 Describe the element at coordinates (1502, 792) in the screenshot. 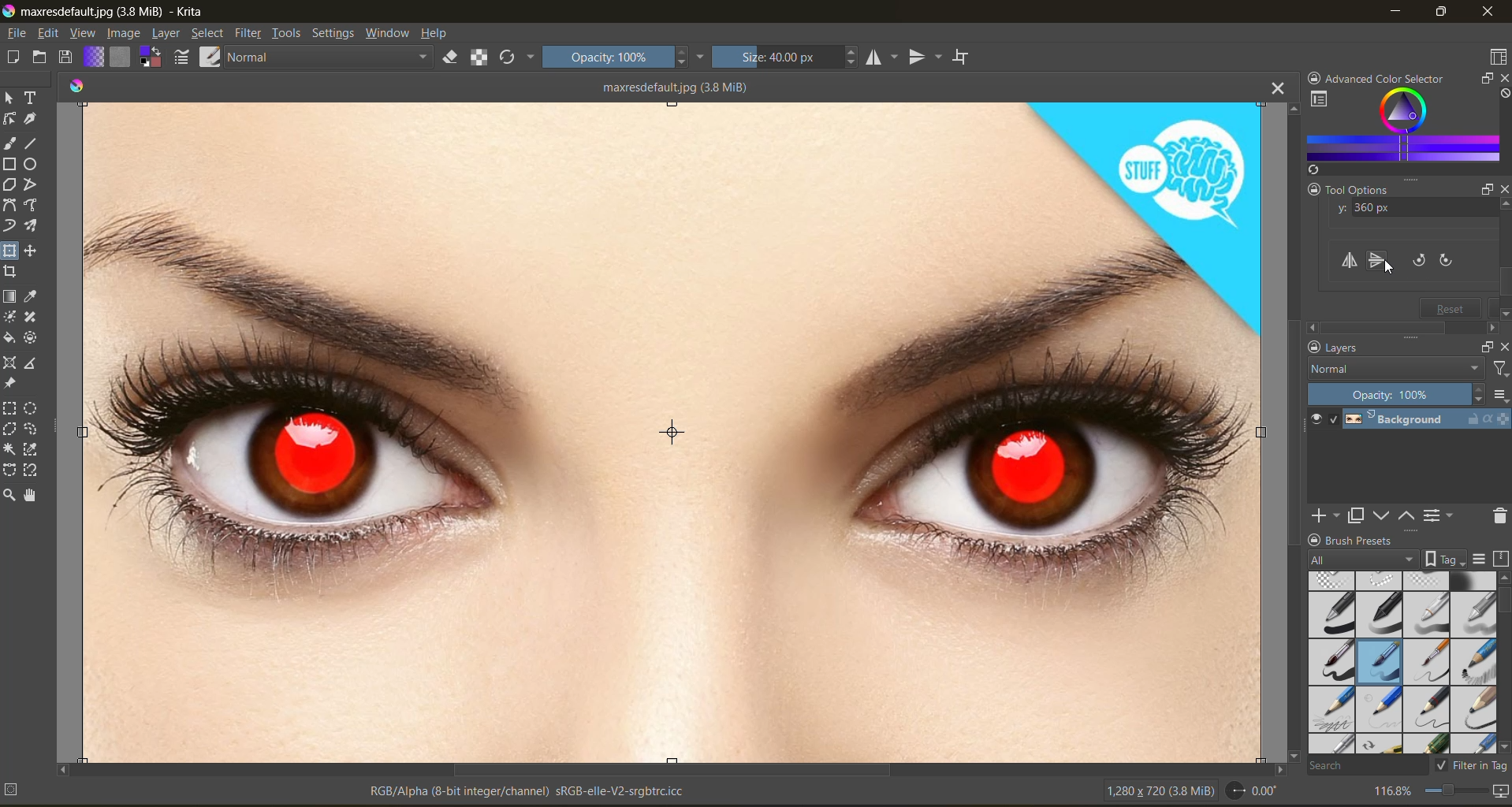

I see `map the canvas` at that location.